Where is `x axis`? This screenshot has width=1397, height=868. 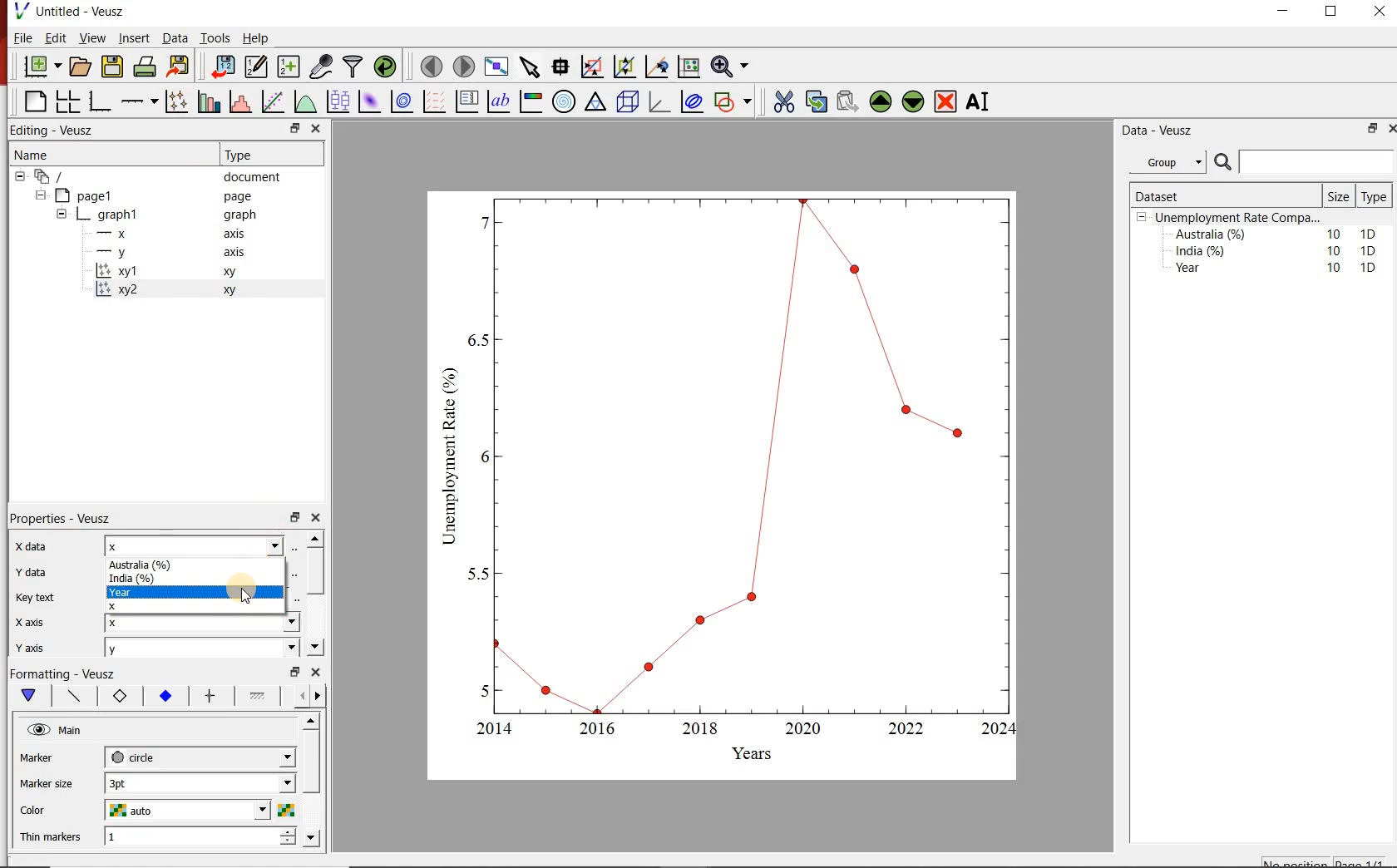 x axis is located at coordinates (178, 233).